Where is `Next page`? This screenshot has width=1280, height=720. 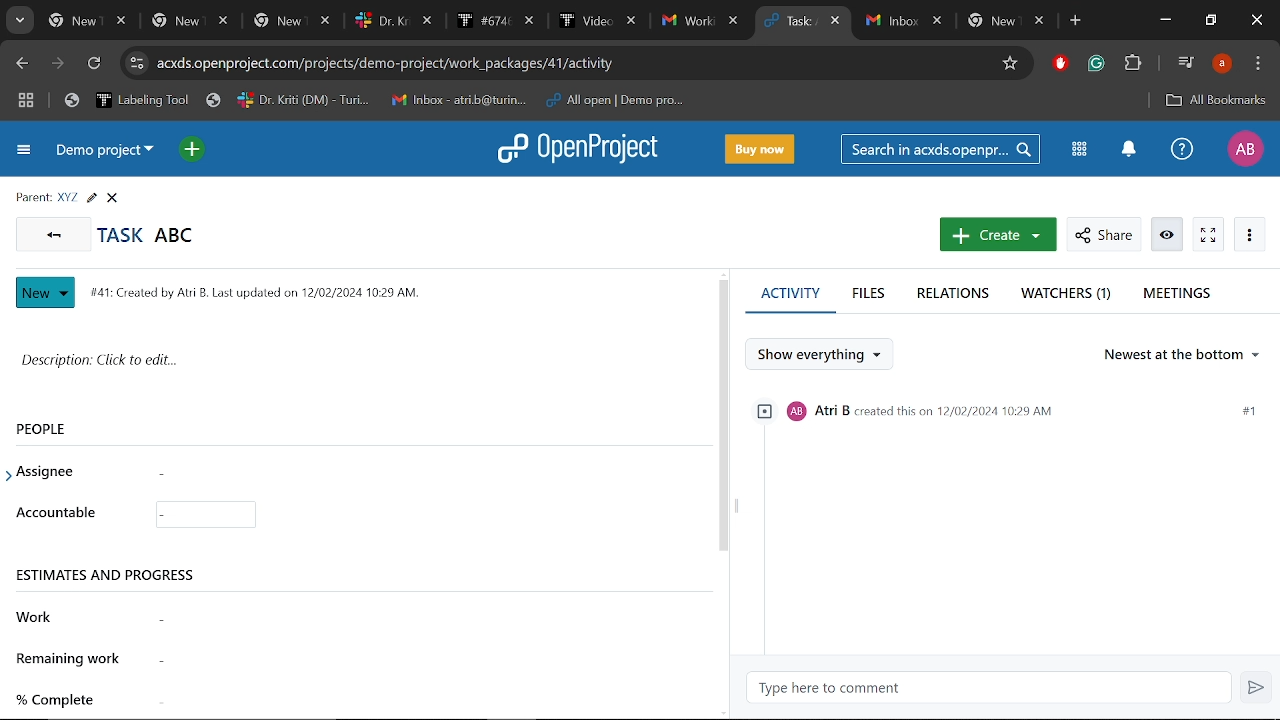
Next page is located at coordinates (58, 64).